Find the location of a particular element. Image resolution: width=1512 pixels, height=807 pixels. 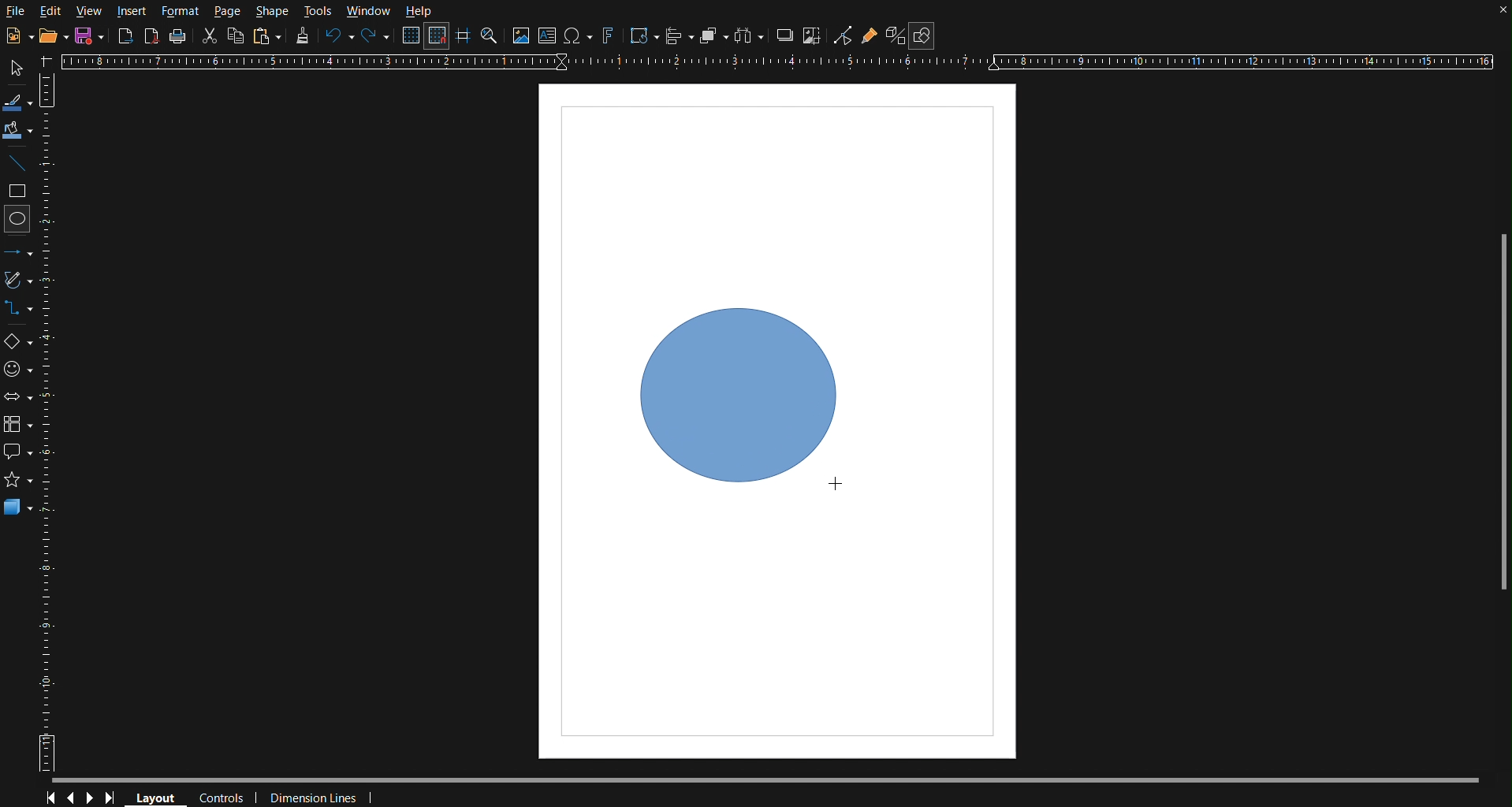

Fill Color is located at coordinates (19, 131).